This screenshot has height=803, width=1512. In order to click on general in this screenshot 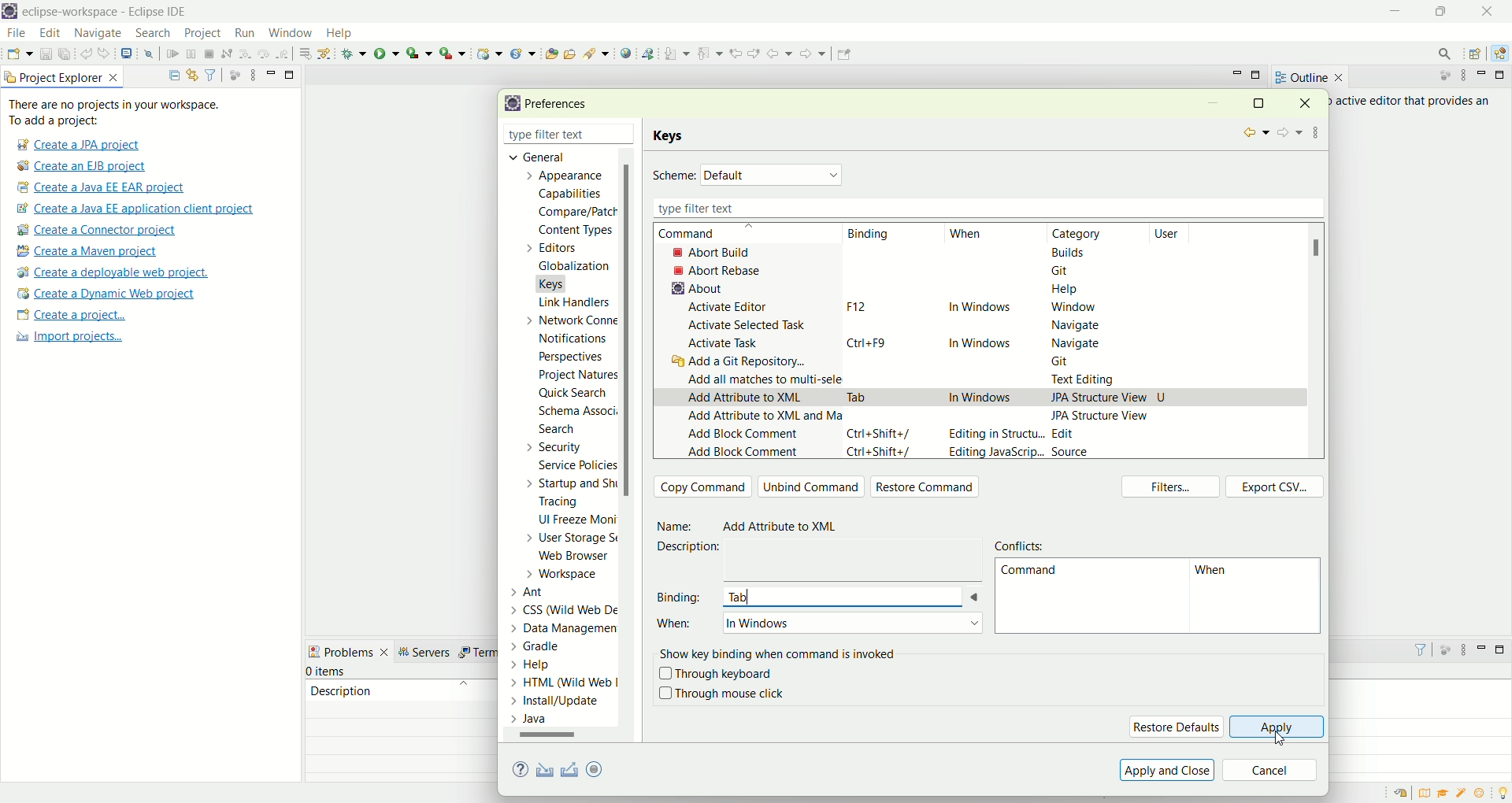, I will do `click(532, 156)`.